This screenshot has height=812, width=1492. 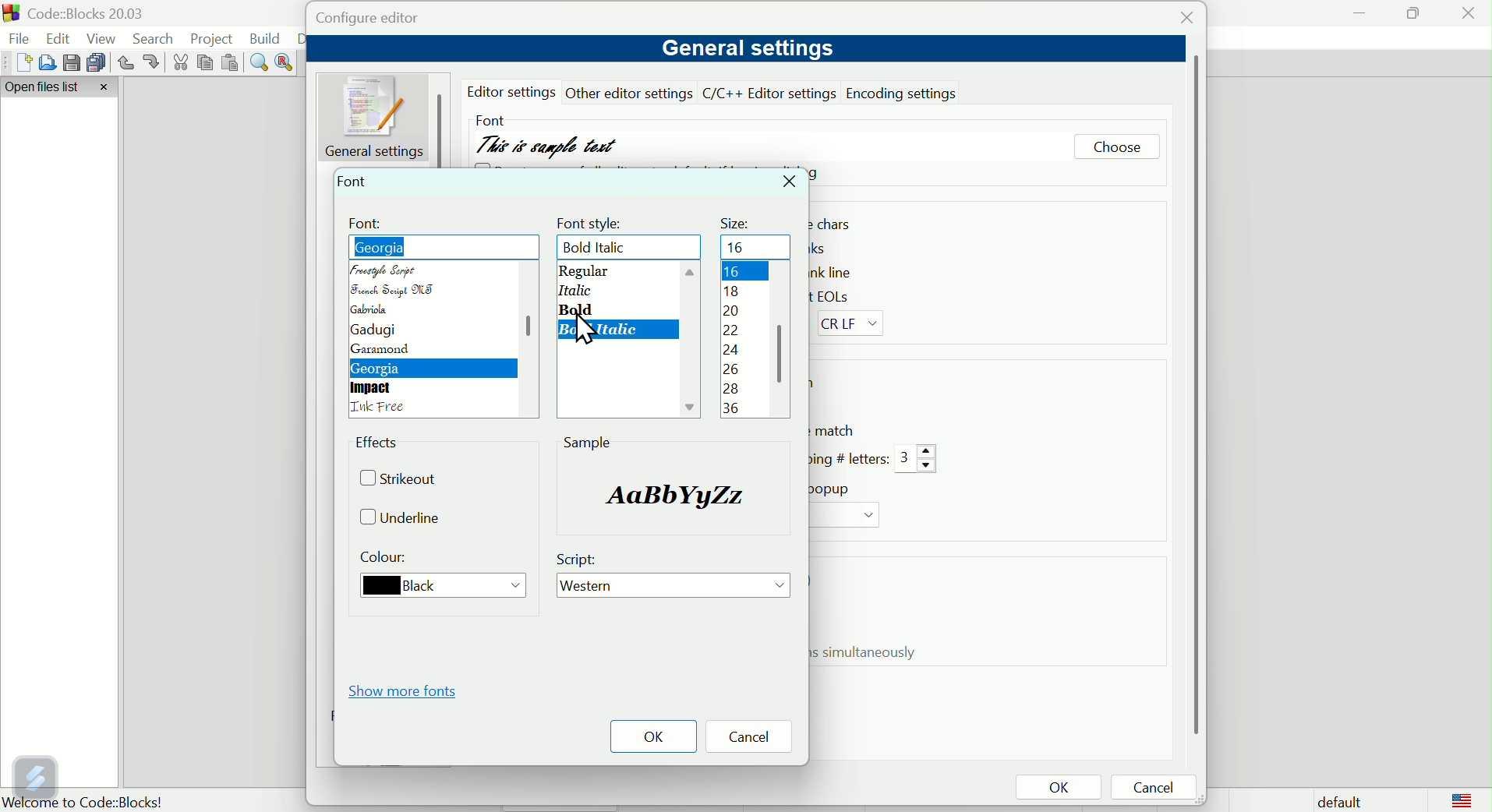 I want to click on Open file list, so click(x=61, y=88).